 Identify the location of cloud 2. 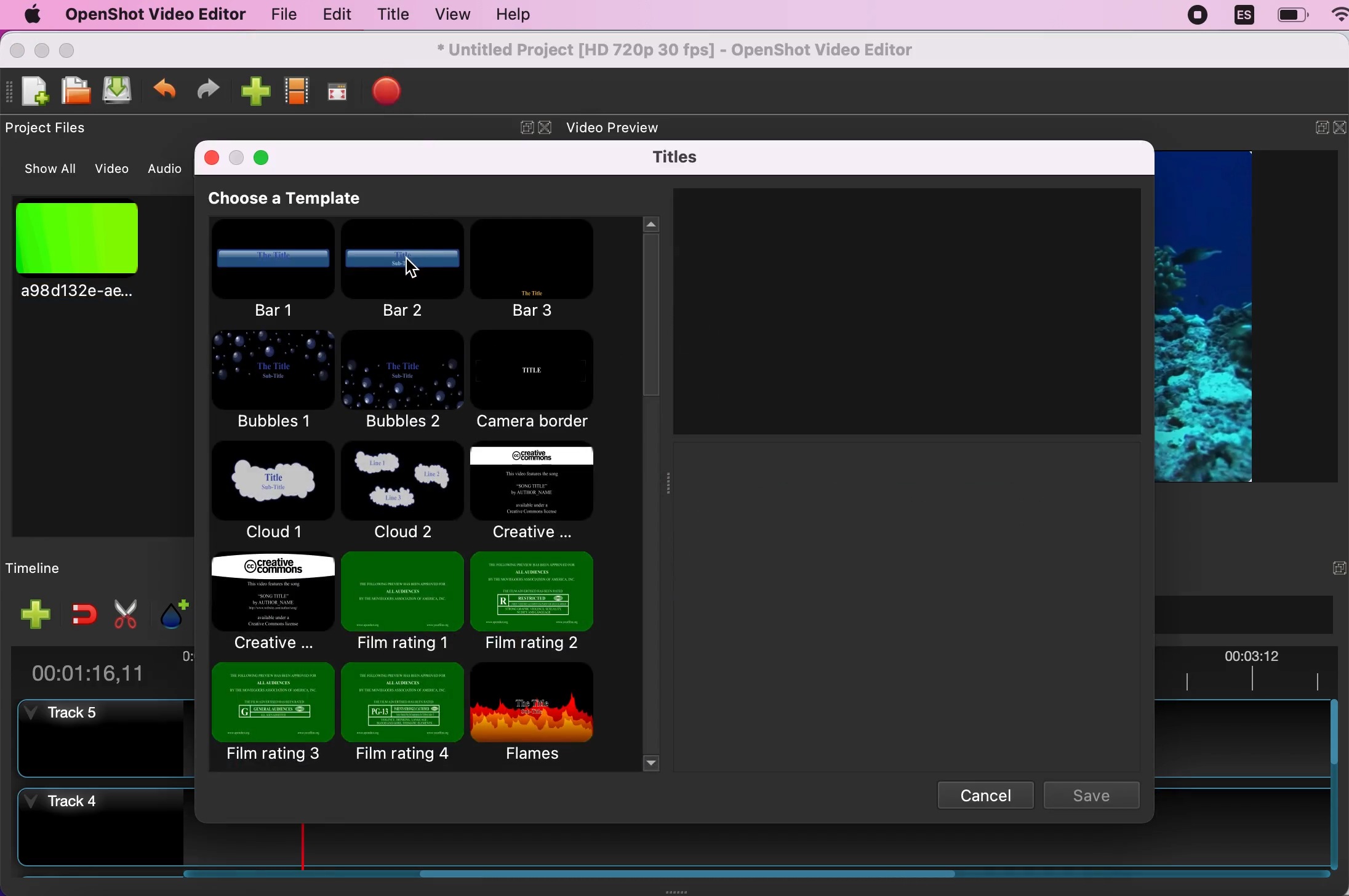
(399, 490).